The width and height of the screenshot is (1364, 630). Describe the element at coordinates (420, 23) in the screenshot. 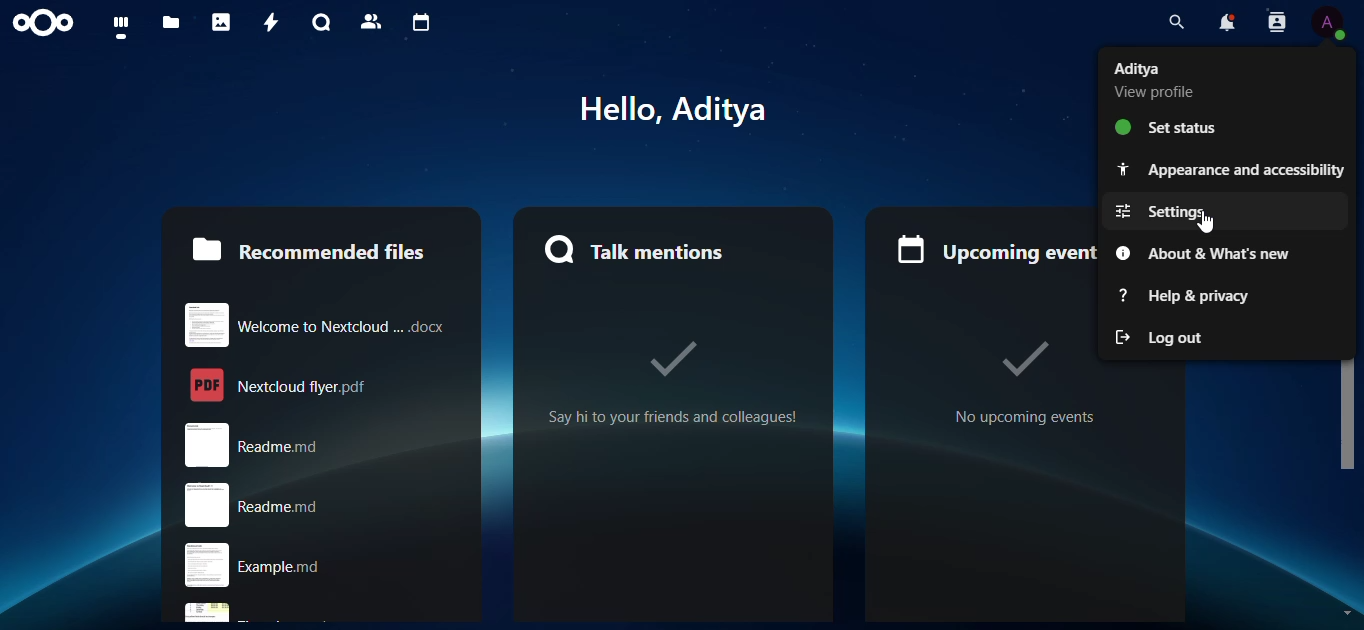

I see `calendar` at that location.